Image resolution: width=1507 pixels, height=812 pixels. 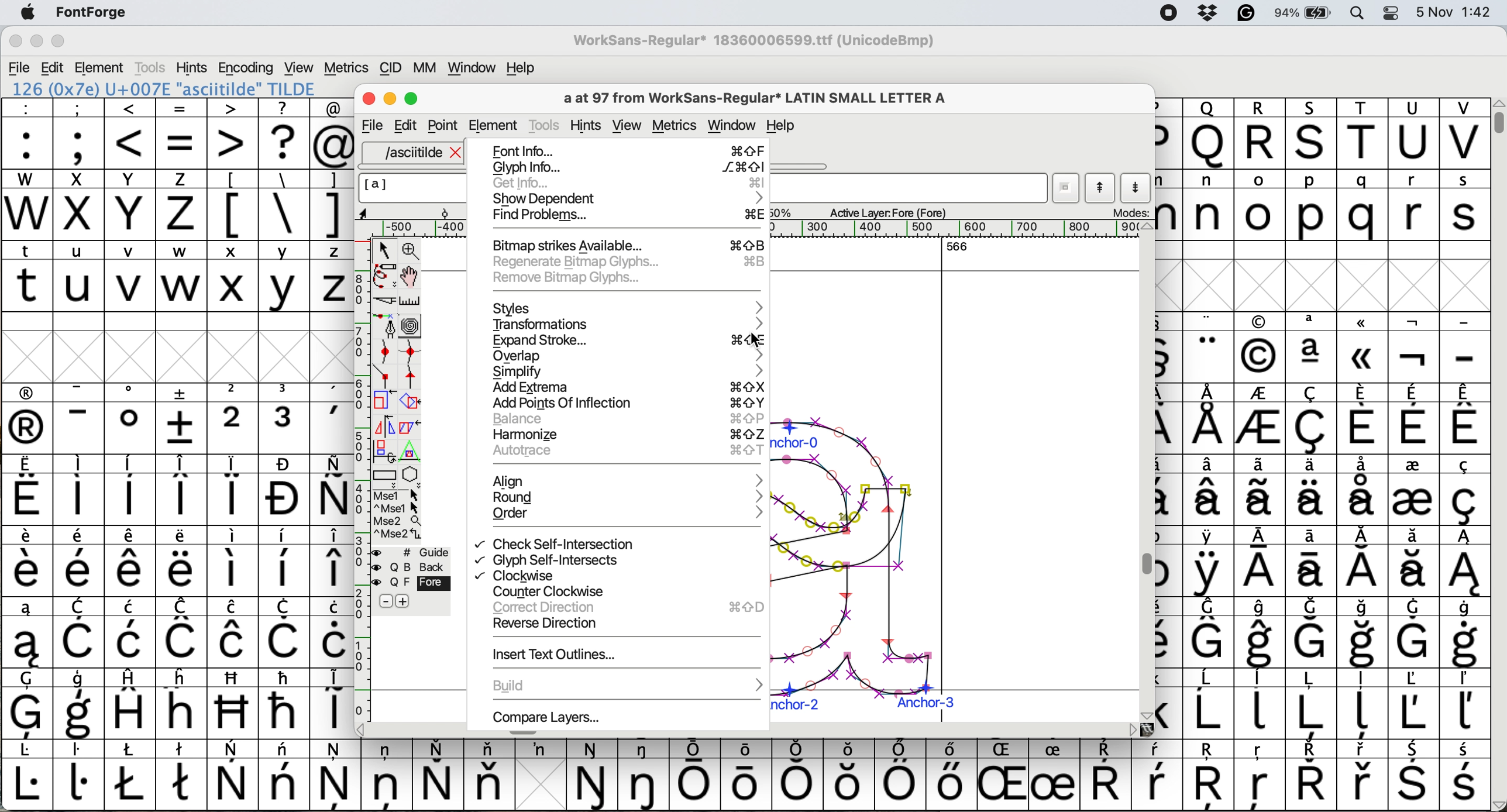 I want to click on symbol, so click(x=1463, y=490).